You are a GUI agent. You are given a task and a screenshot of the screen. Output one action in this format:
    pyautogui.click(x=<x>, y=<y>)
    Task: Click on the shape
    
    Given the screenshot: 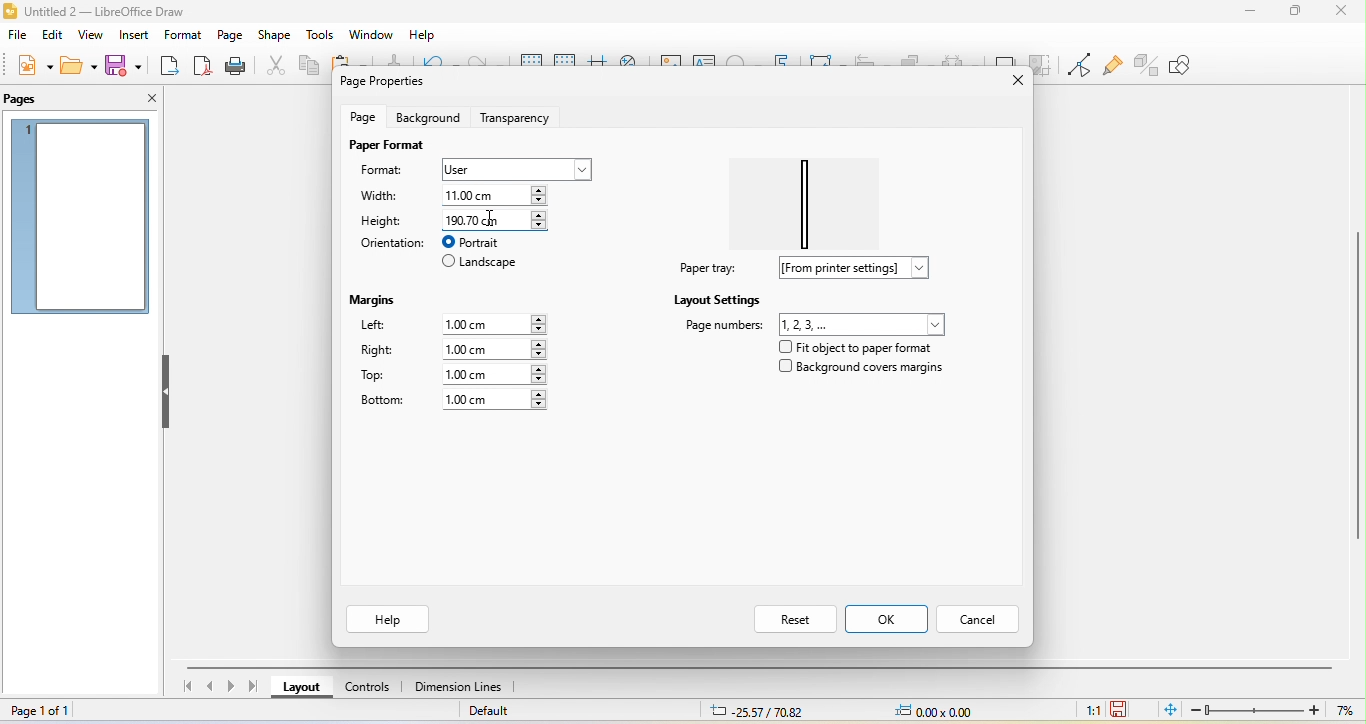 What is the action you would take?
    pyautogui.click(x=275, y=36)
    